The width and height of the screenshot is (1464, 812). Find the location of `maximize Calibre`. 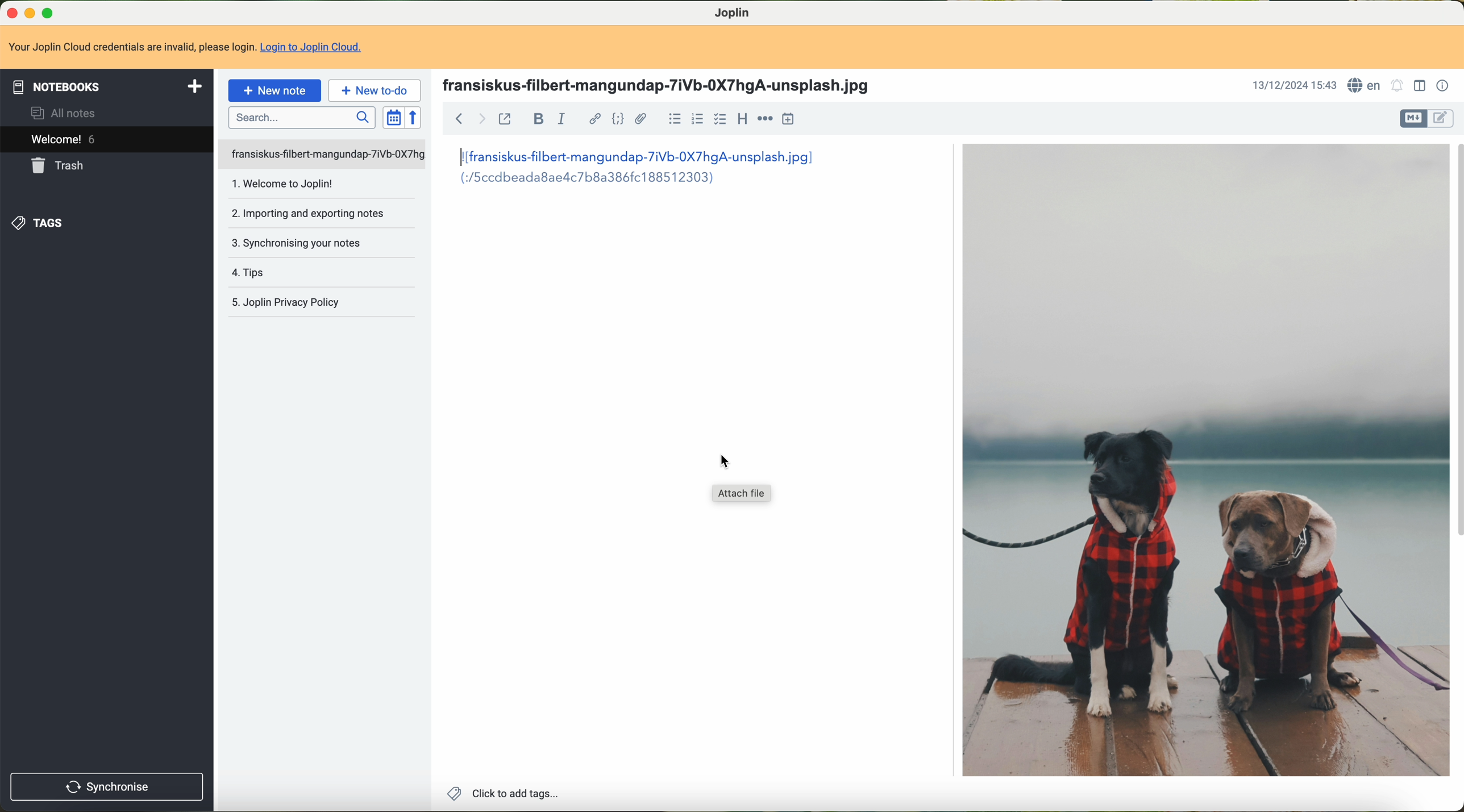

maximize Calibre is located at coordinates (50, 11).